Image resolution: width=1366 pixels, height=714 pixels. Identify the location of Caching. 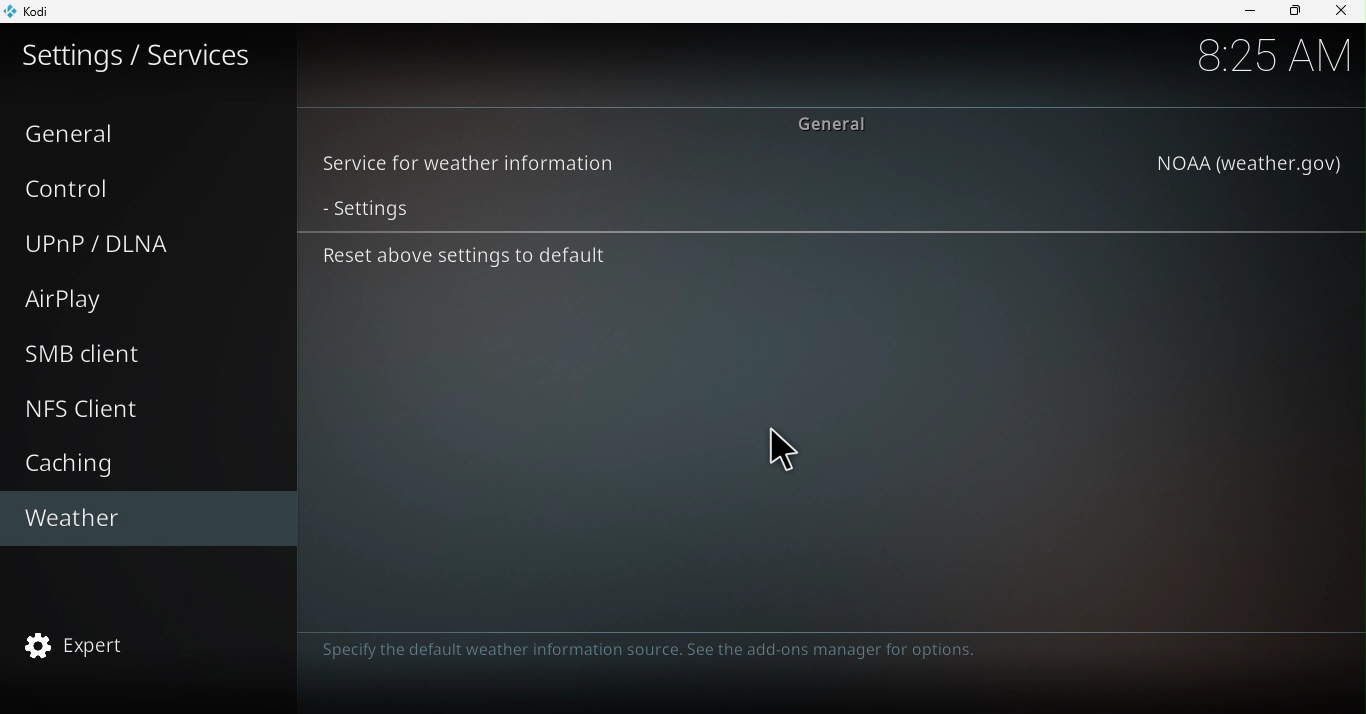
(141, 463).